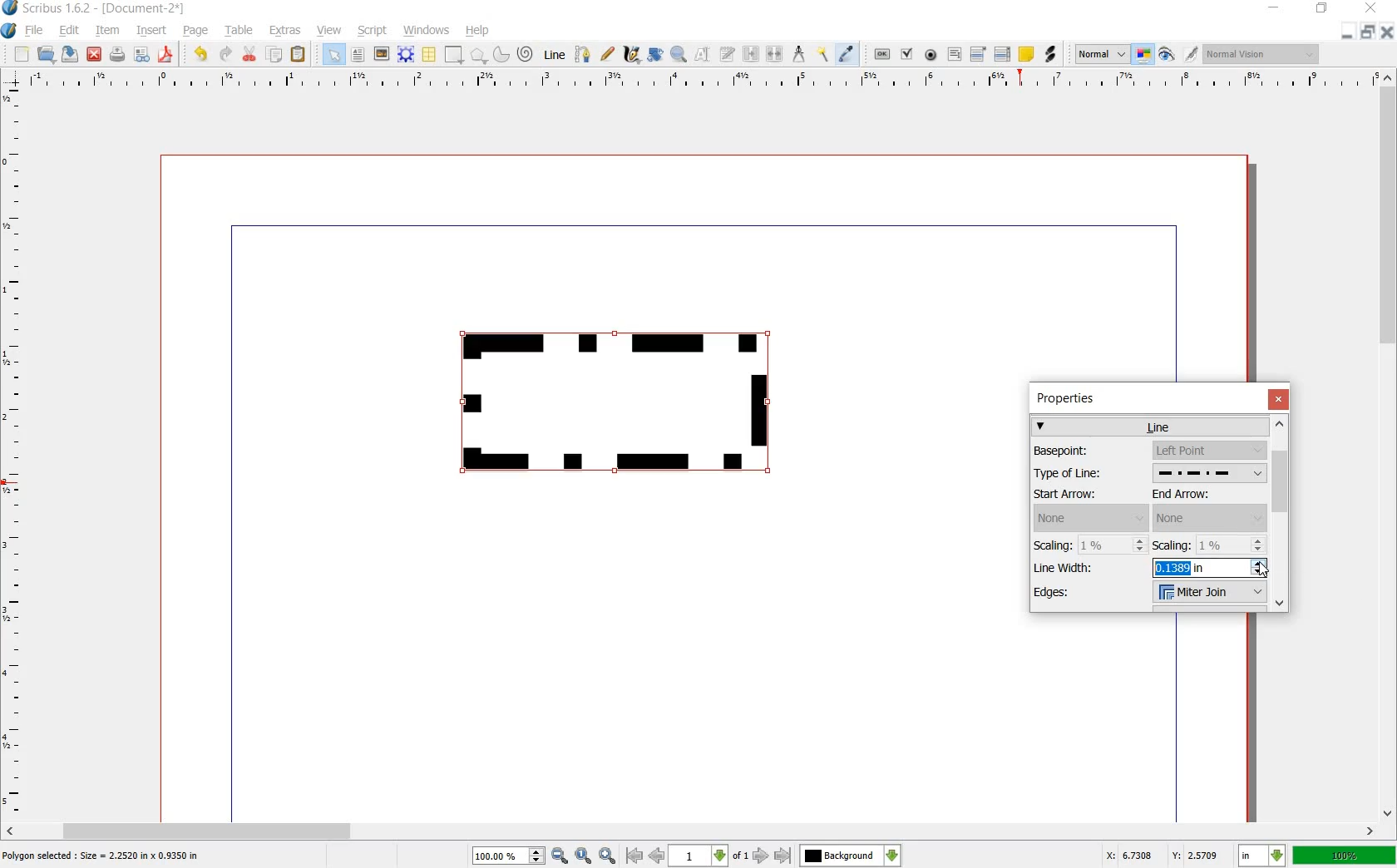 This screenshot has width=1397, height=868. I want to click on PDF LIST BOX, so click(1001, 54).